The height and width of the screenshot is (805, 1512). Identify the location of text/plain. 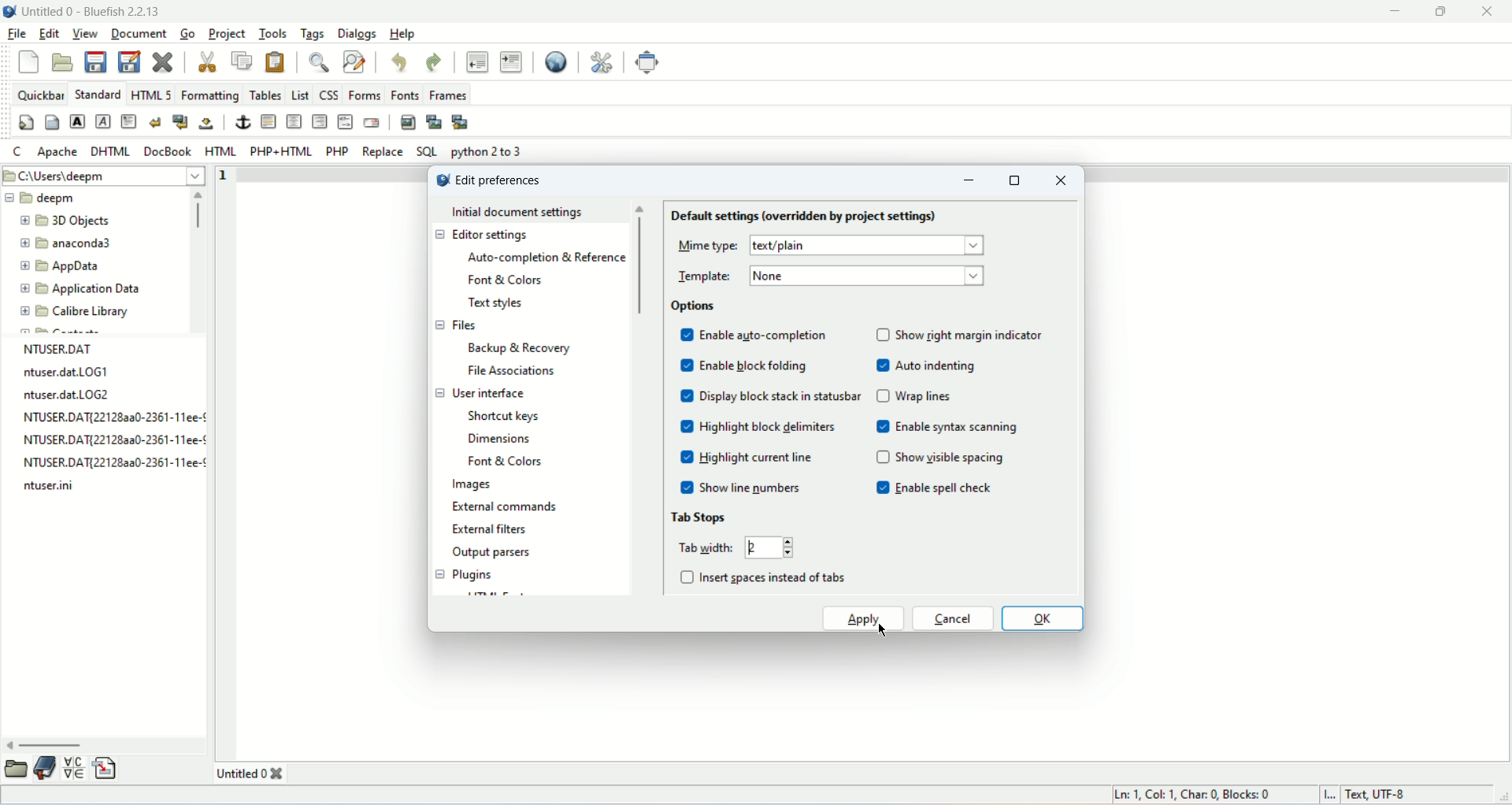
(790, 247).